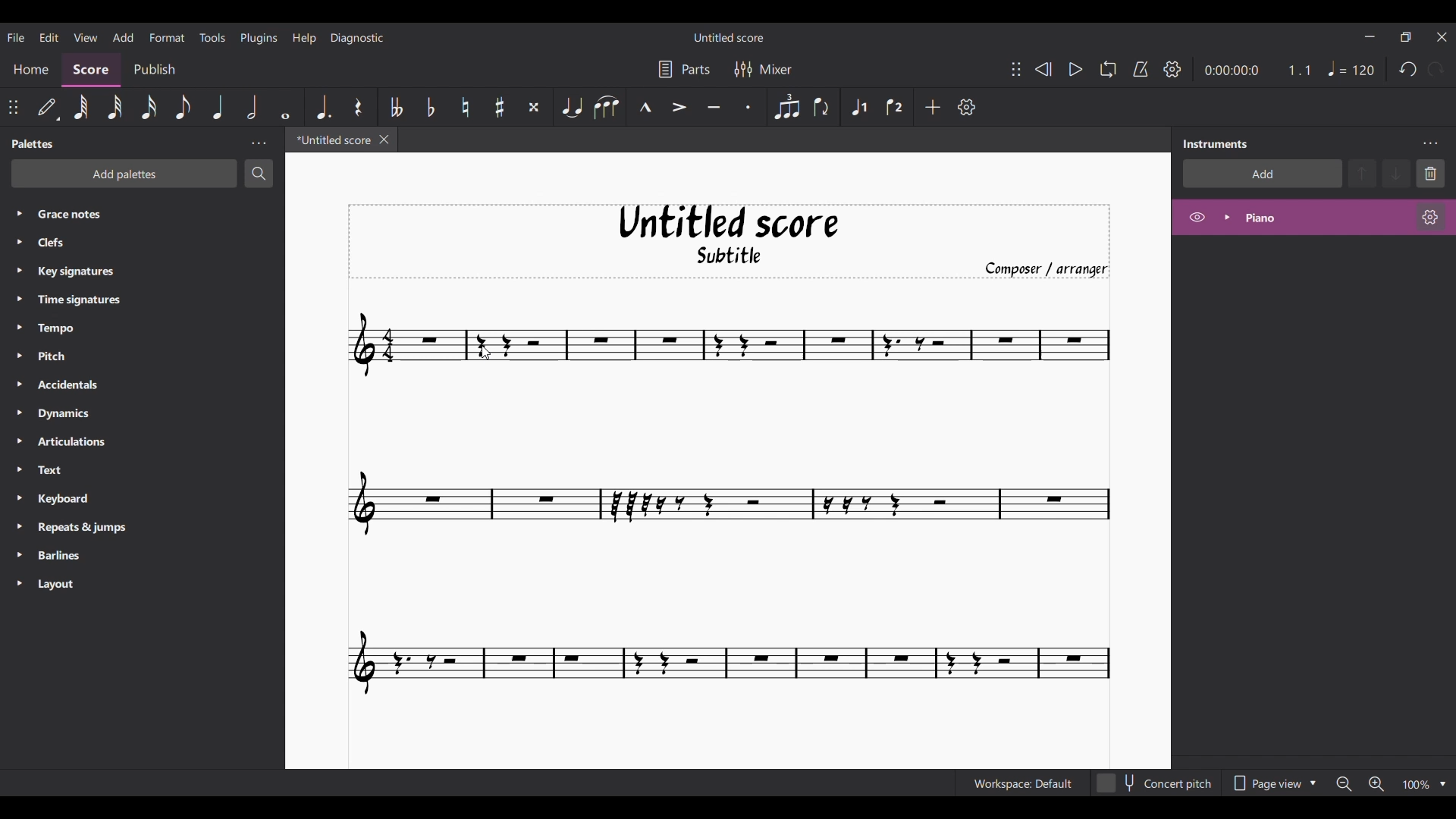 The width and height of the screenshot is (1456, 819). Describe the element at coordinates (152, 400) in the screenshot. I see `Palette list` at that location.